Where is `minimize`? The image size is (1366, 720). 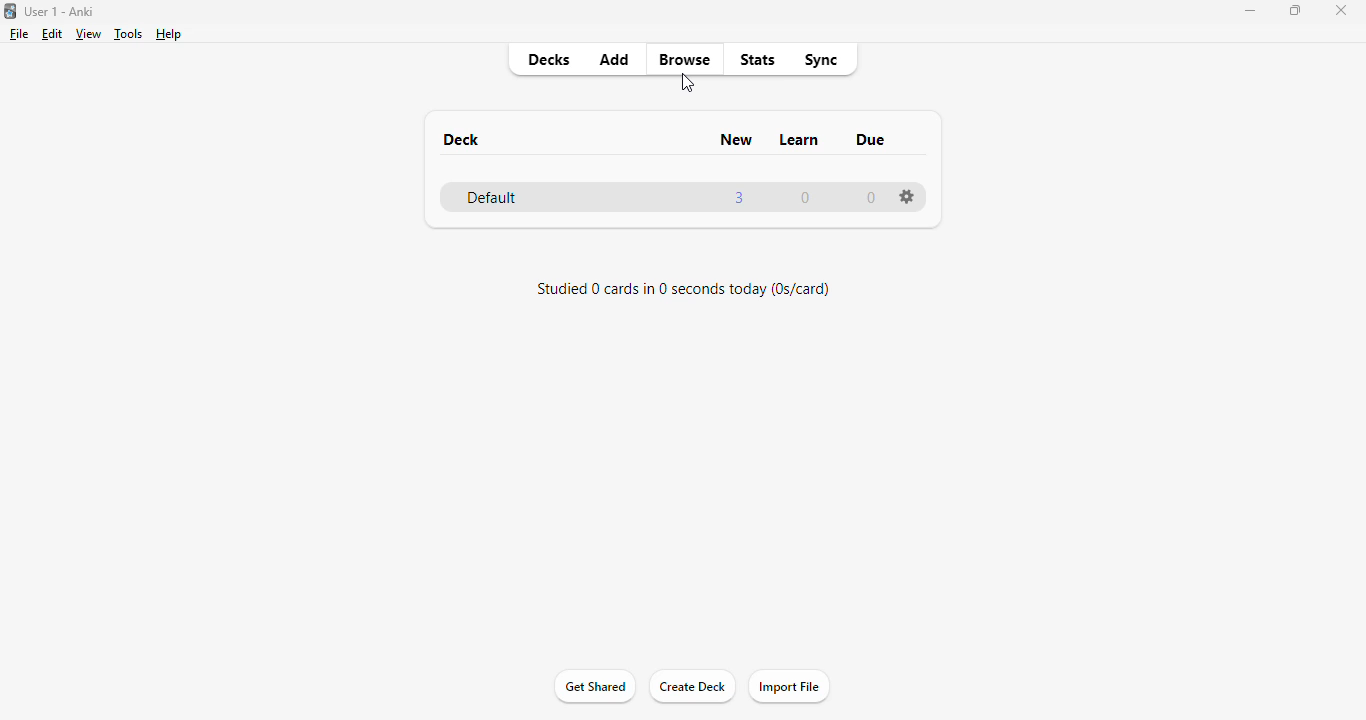
minimize is located at coordinates (1252, 11).